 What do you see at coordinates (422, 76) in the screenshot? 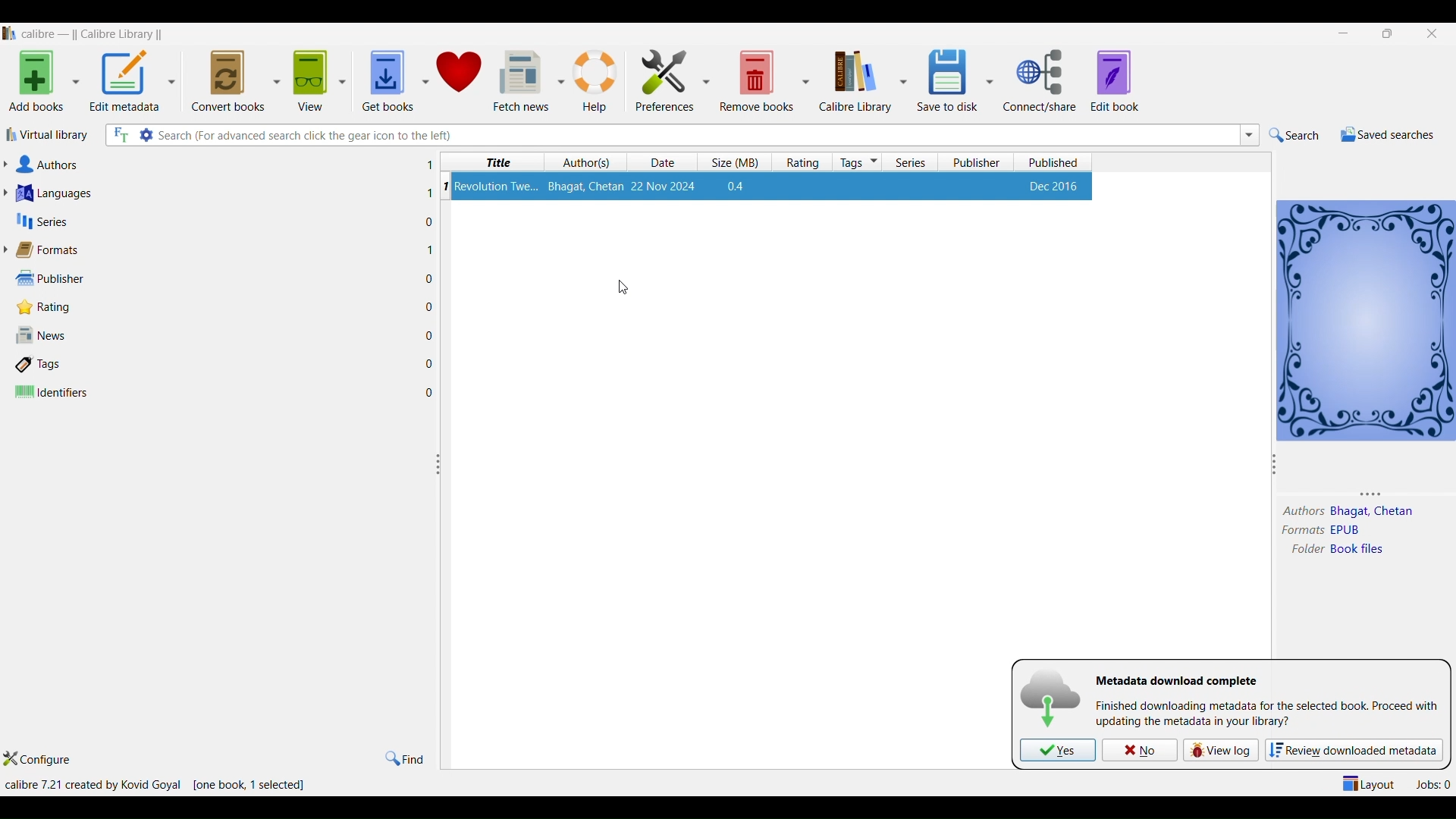
I see `get books options dropdown button` at bounding box center [422, 76].